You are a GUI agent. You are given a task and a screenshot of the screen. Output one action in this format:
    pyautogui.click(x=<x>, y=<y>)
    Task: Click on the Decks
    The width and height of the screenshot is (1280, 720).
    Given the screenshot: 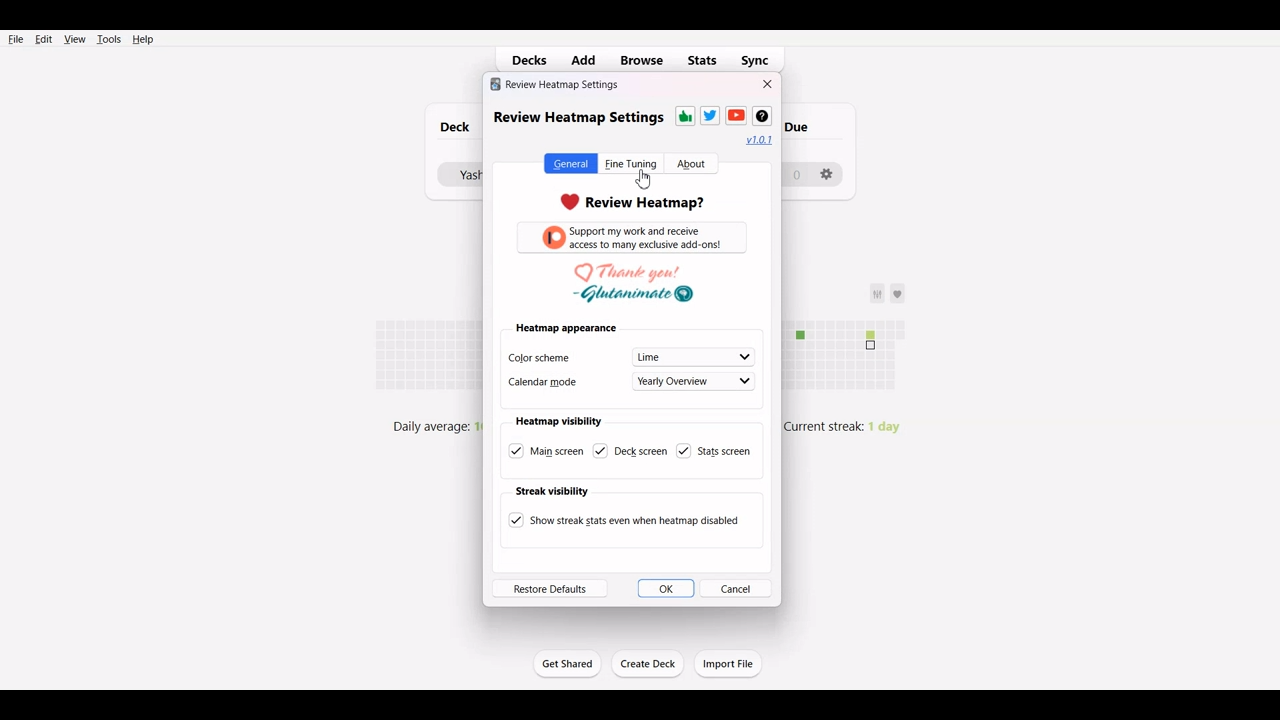 What is the action you would take?
    pyautogui.click(x=525, y=60)
    